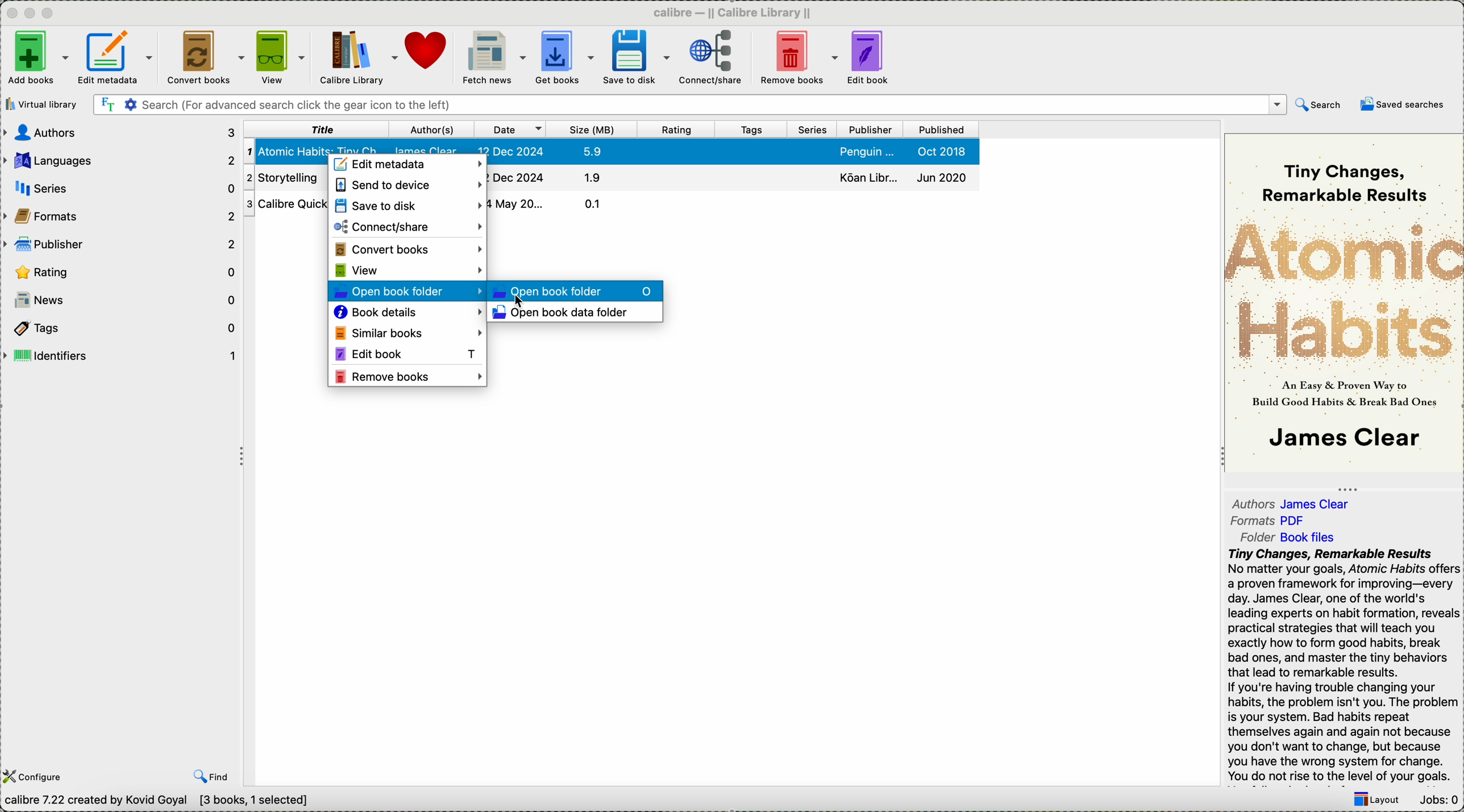 Image resolution: width=1464 pixels, height=812 pixels. What do you see at coordinates (281, 58) in the screenshot?
I see `view` at bounding box center [281, 58].